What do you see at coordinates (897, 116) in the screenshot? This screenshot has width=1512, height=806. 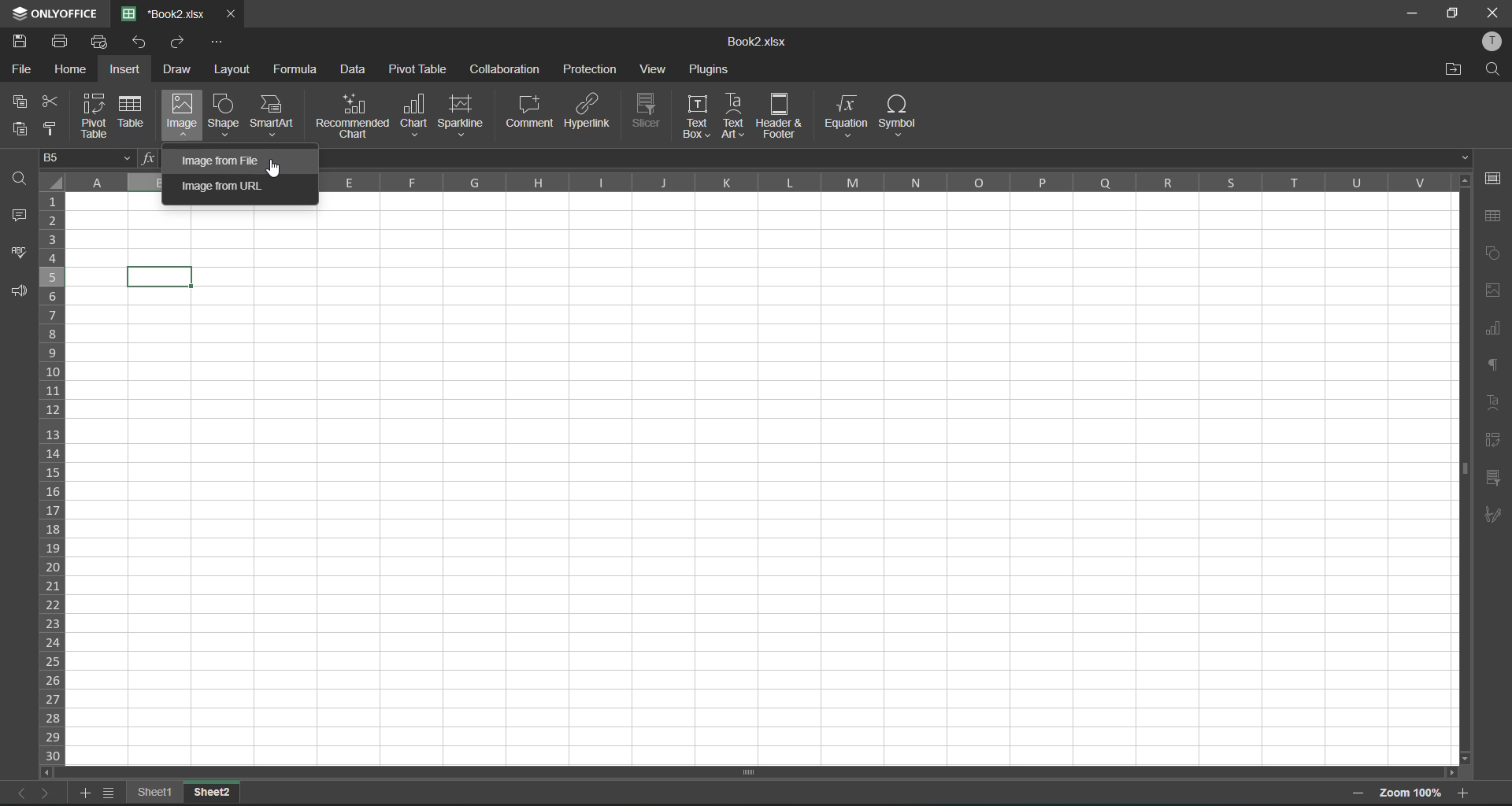 I see `symbol` at bounding box center [897, 116].